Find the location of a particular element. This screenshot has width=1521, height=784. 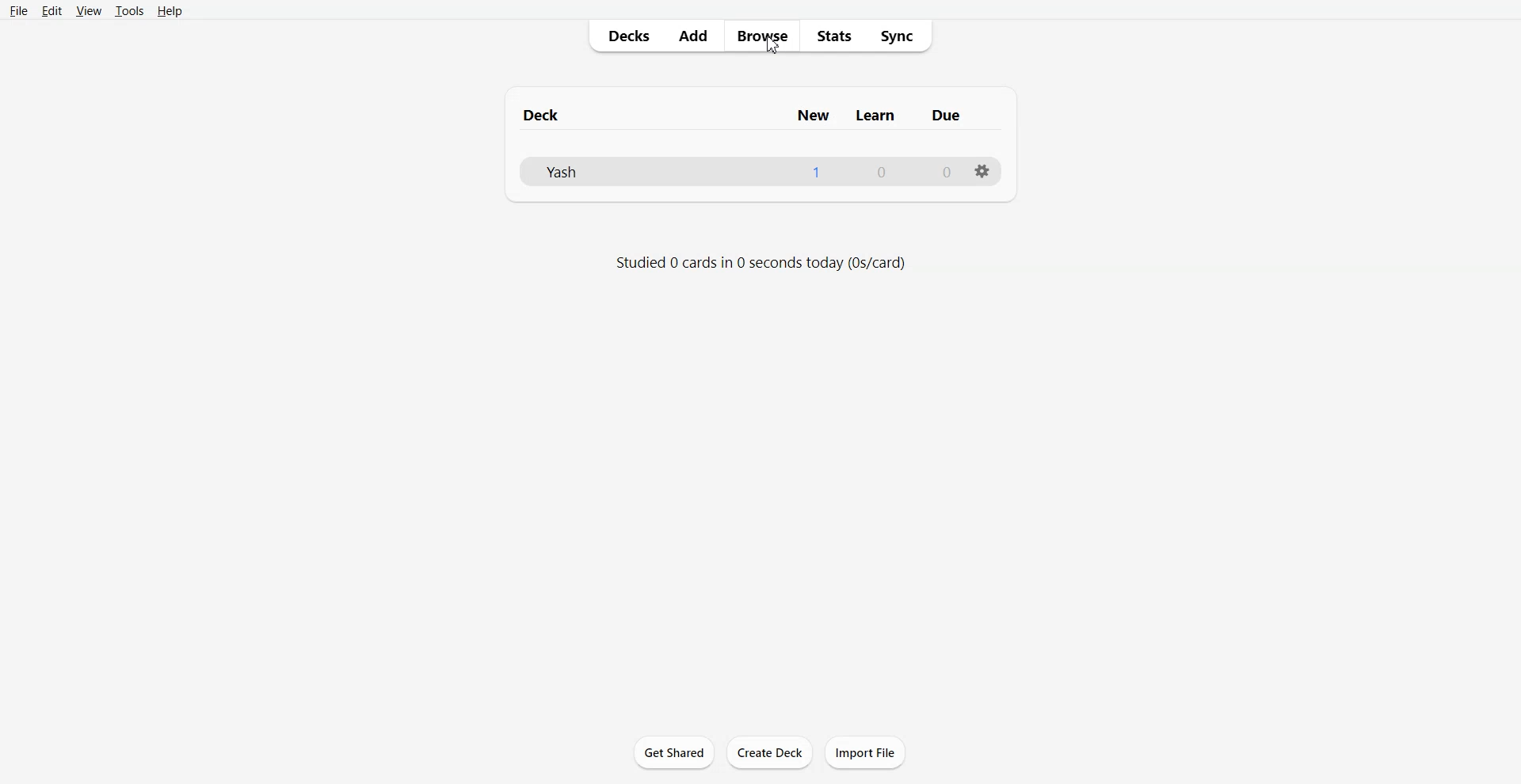

Edit is located at coordinates (51, 10).